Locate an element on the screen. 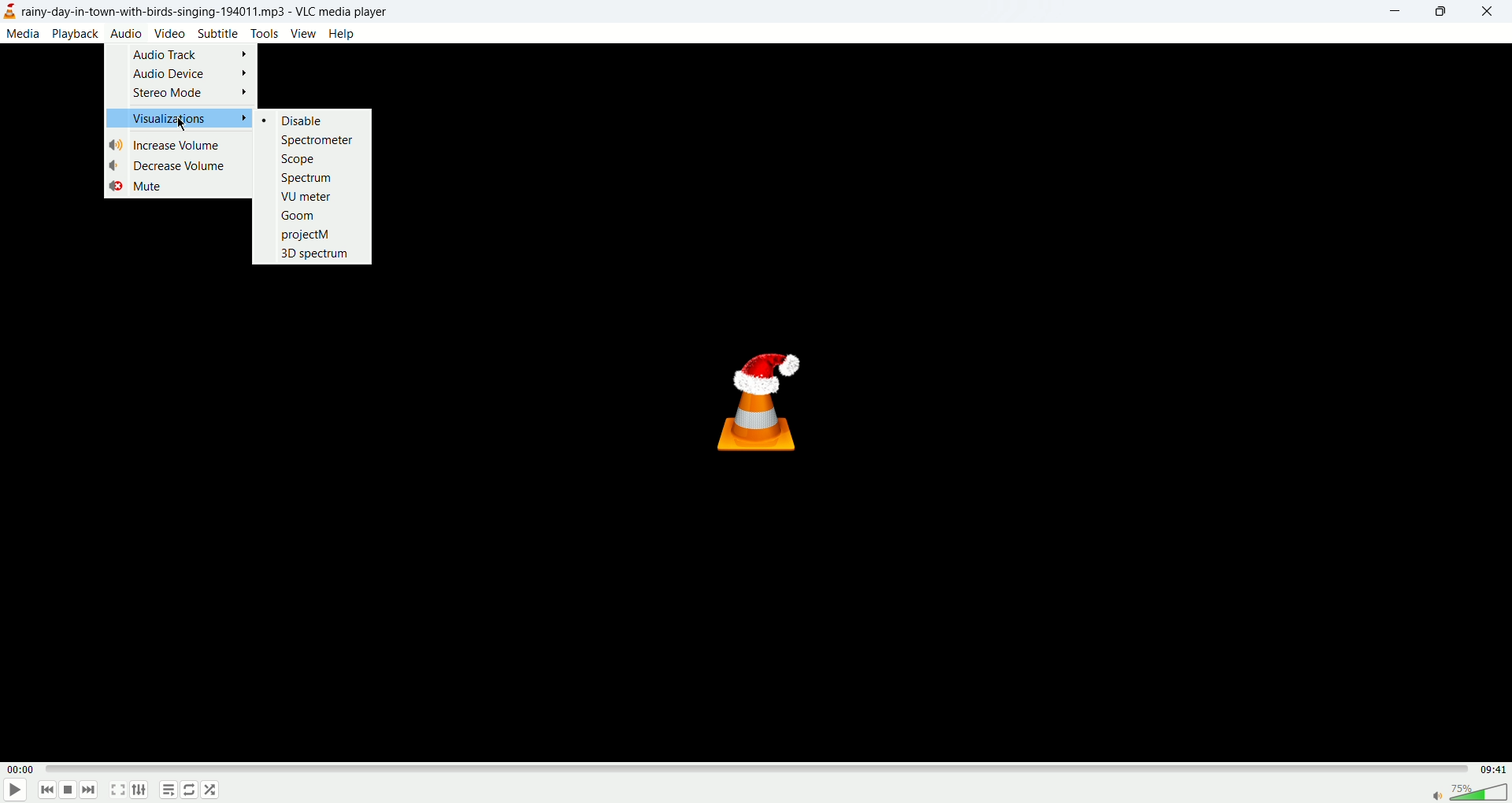 The width and height of the screenshot is (1512, 803). minimize is located at coordinates (1392, 13).